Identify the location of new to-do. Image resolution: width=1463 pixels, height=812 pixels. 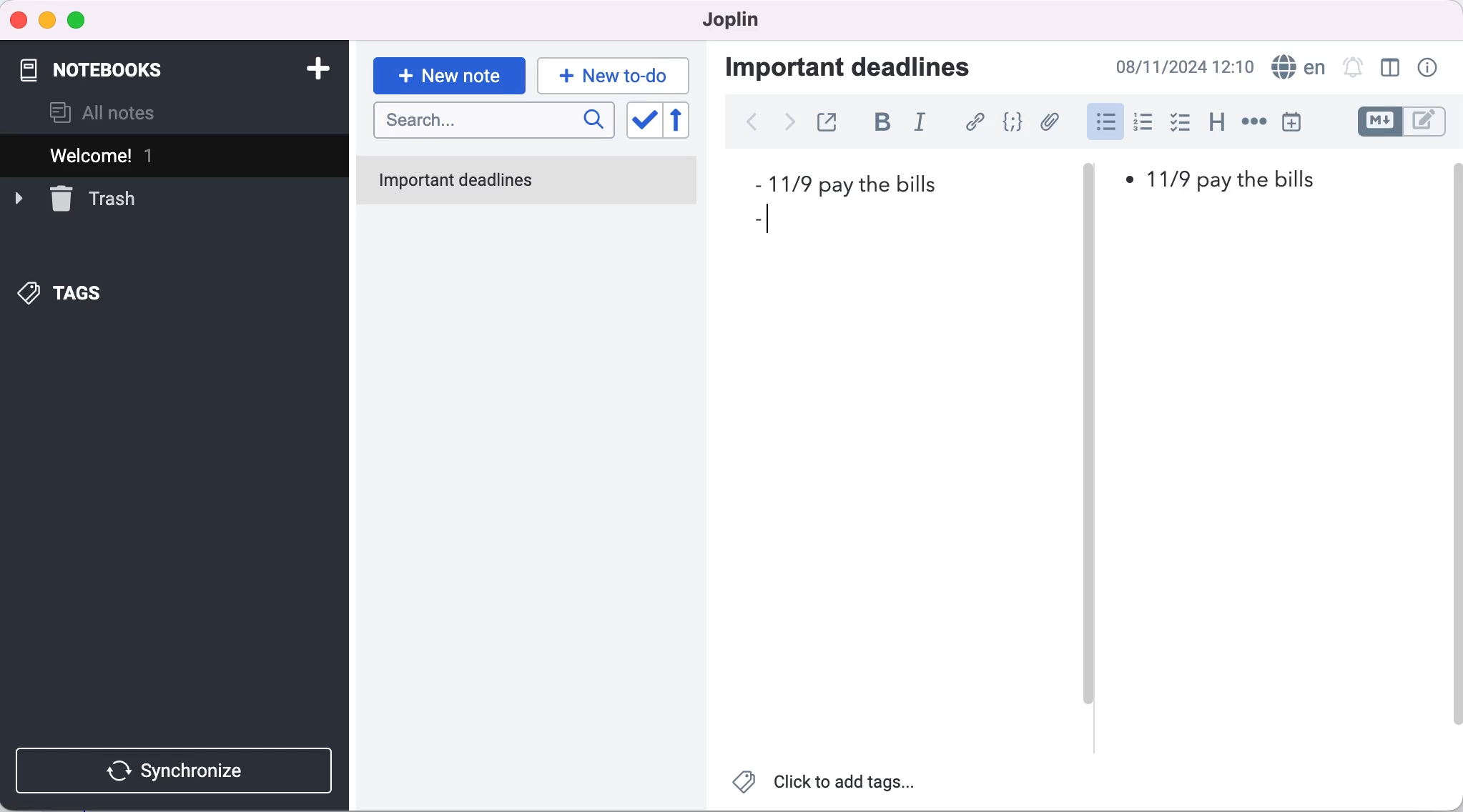
(617, 75).